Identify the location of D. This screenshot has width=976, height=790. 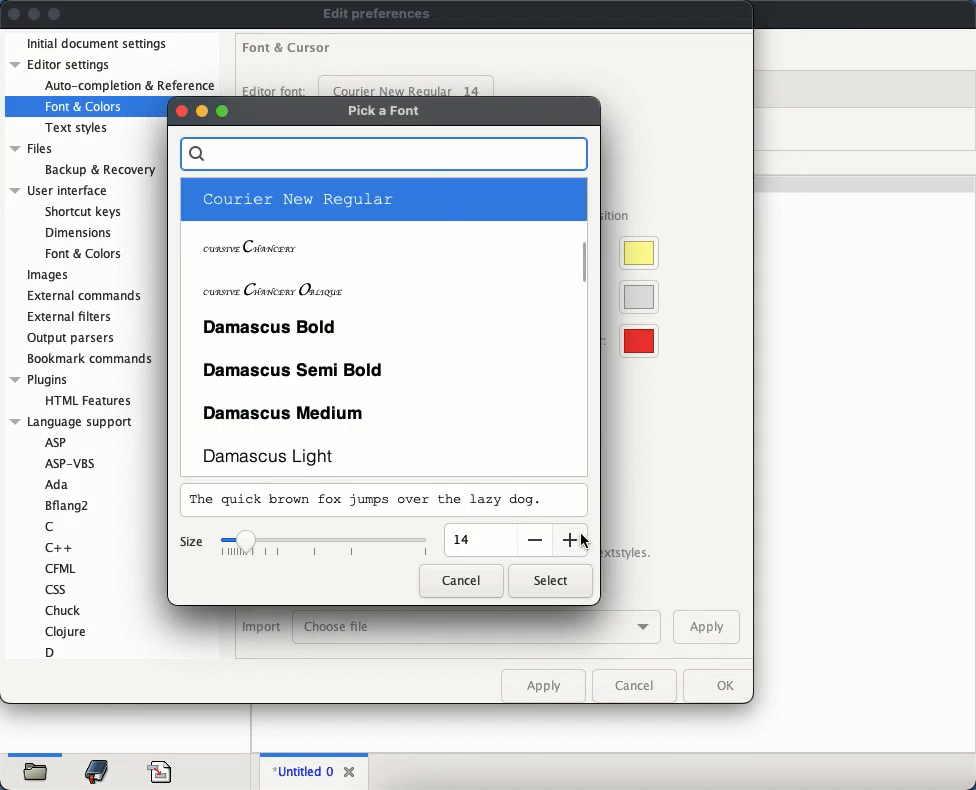
(50, 652).